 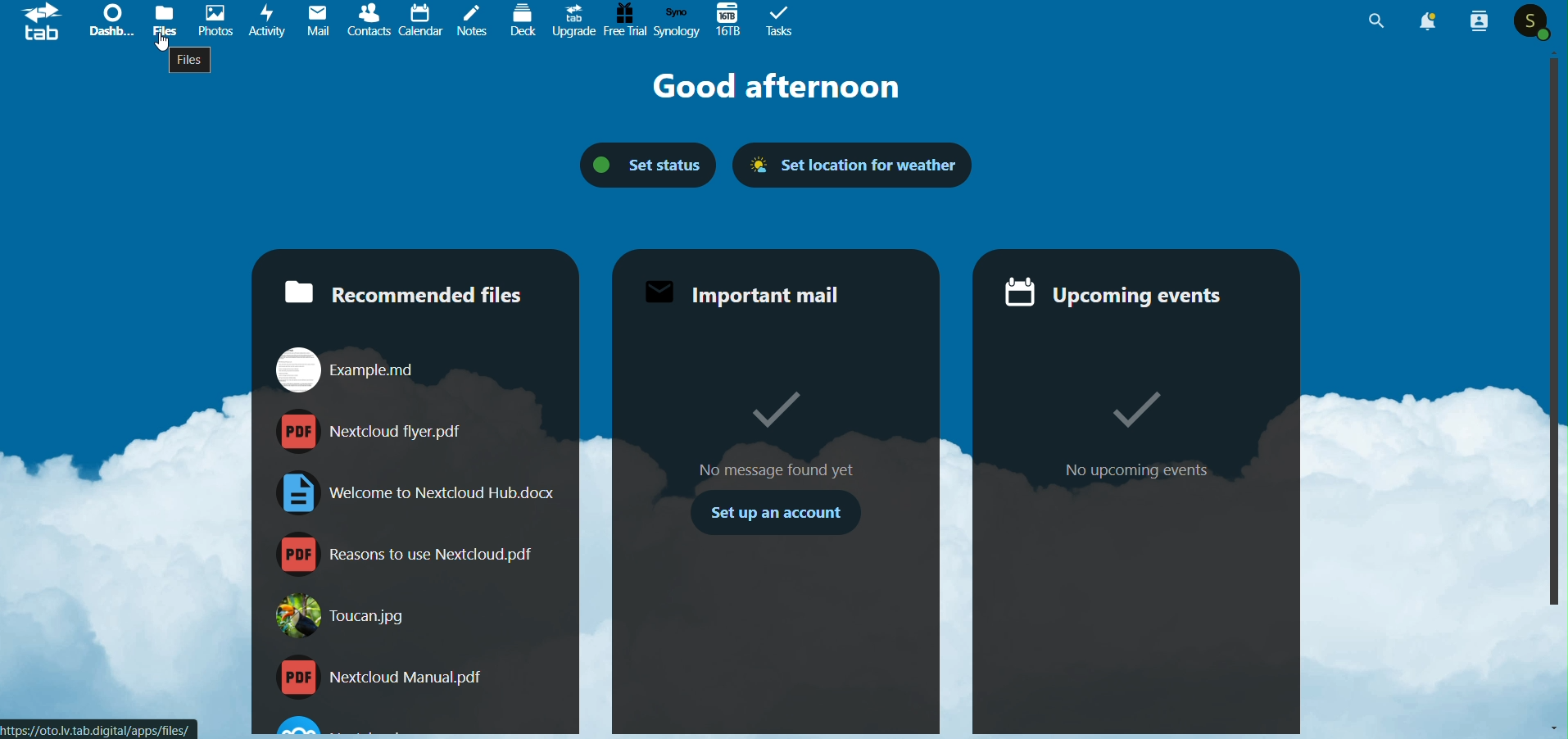 I want to click on Welcome to Nextcloud Hub.docx, so click(x=420, y=494).